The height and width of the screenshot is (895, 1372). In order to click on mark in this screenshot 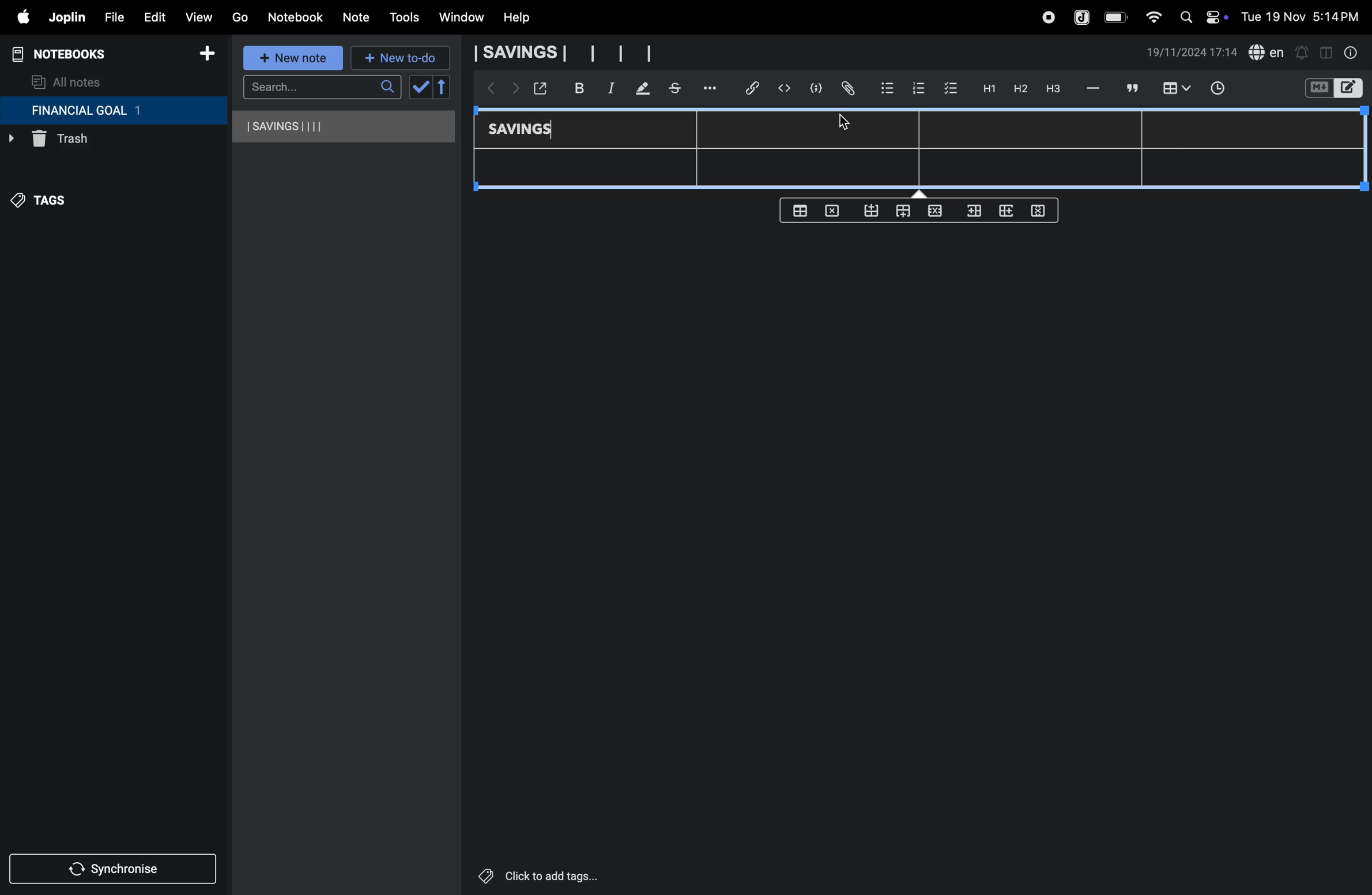, I will do `click(639, 89)`.